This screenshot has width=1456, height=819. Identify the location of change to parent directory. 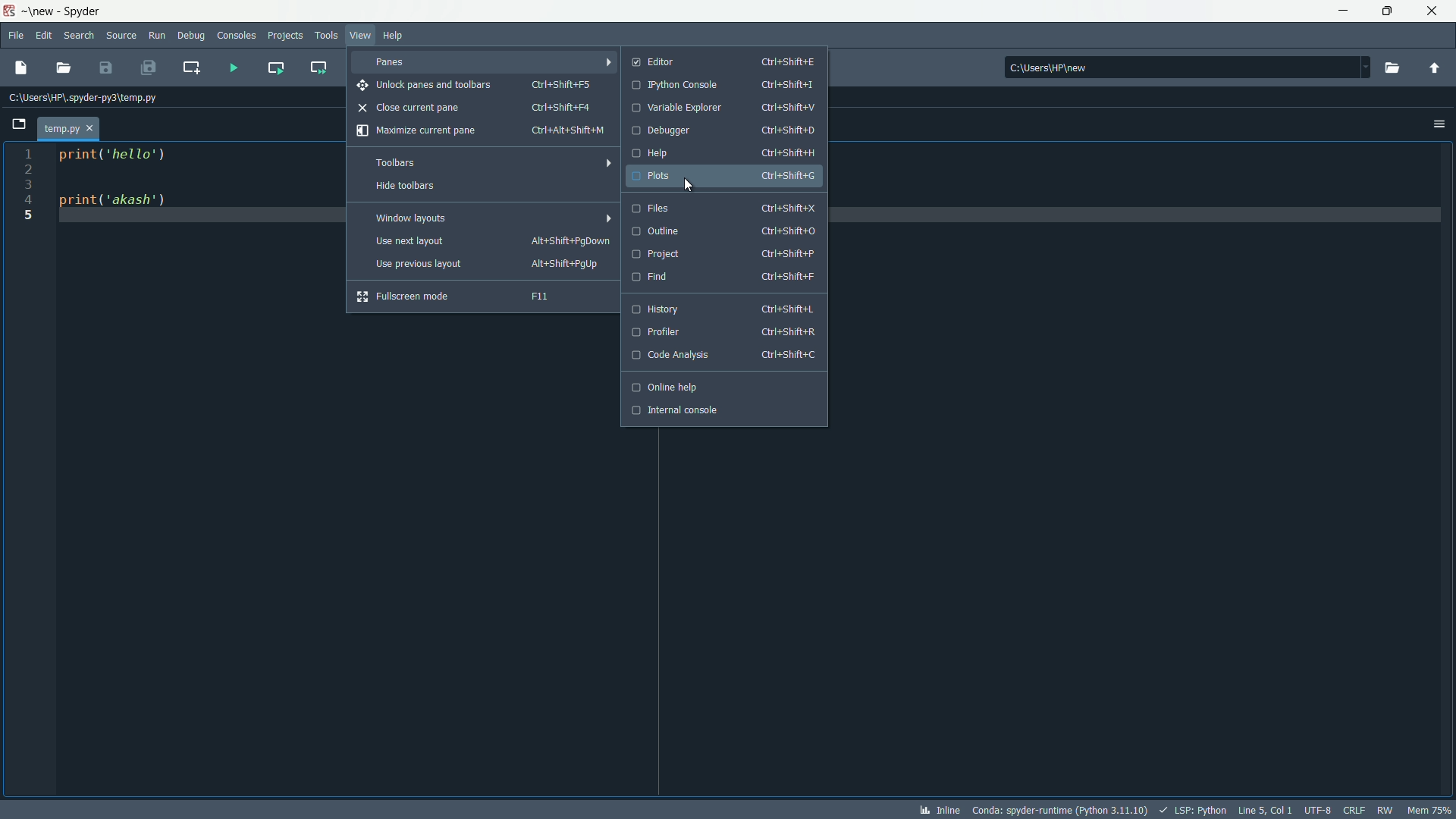
(1436, 67).